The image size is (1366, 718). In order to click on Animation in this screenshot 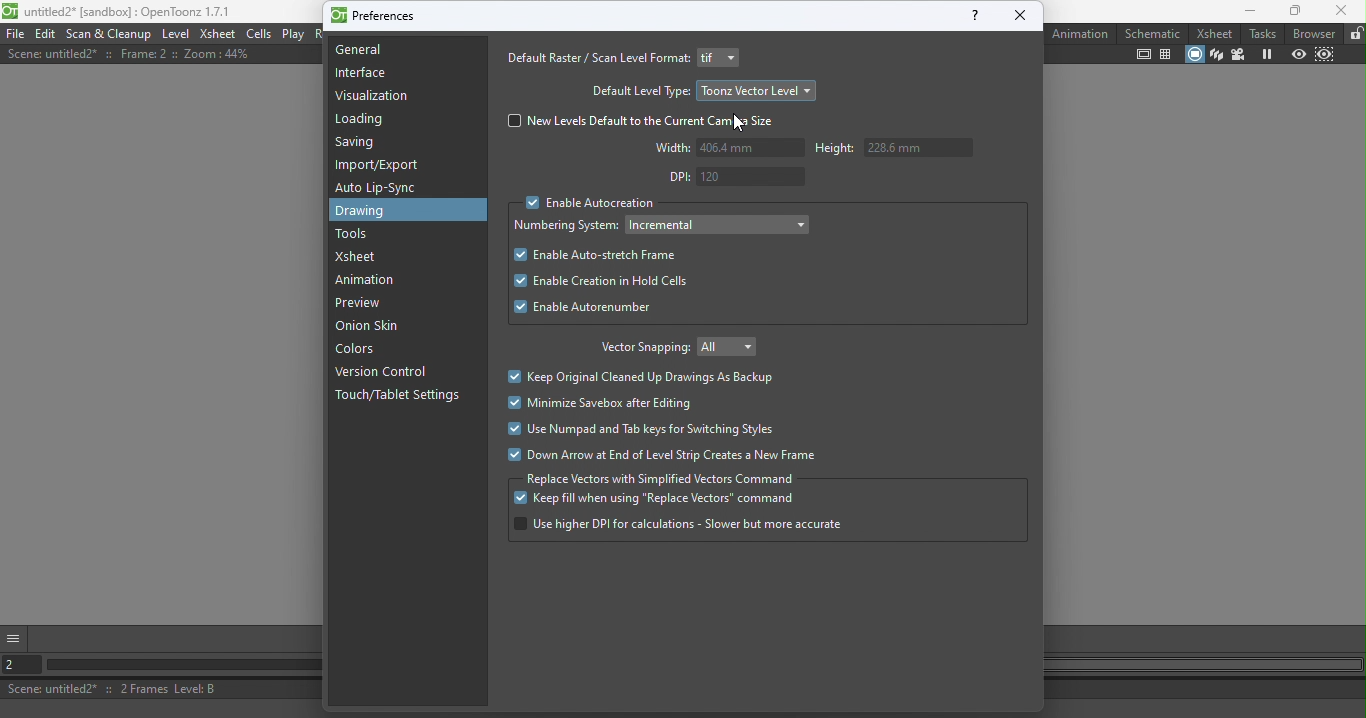, I will do `click(1081, 33)`.